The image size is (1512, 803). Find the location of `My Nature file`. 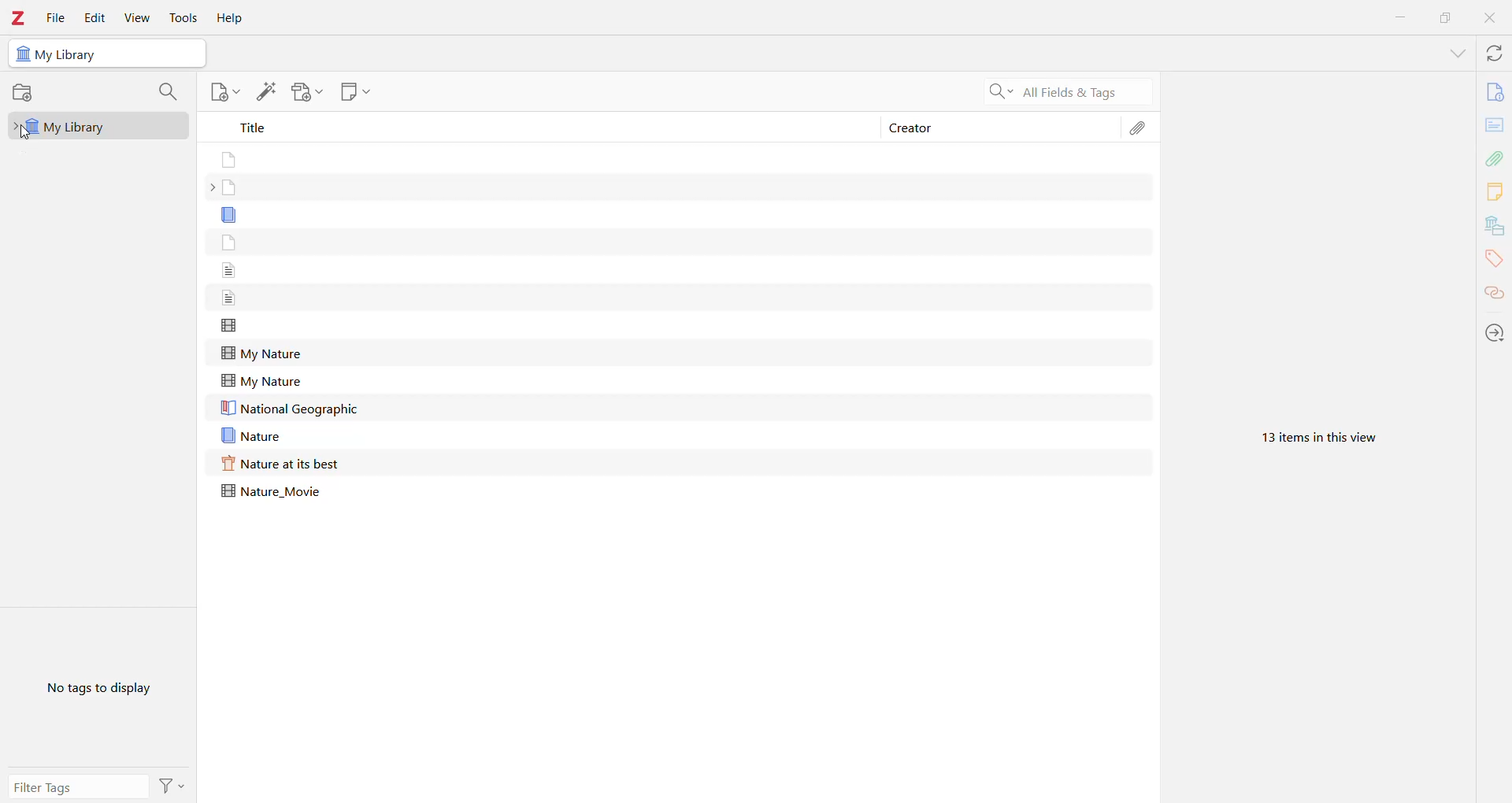

My Nature file is located at coordinates (262, 353).